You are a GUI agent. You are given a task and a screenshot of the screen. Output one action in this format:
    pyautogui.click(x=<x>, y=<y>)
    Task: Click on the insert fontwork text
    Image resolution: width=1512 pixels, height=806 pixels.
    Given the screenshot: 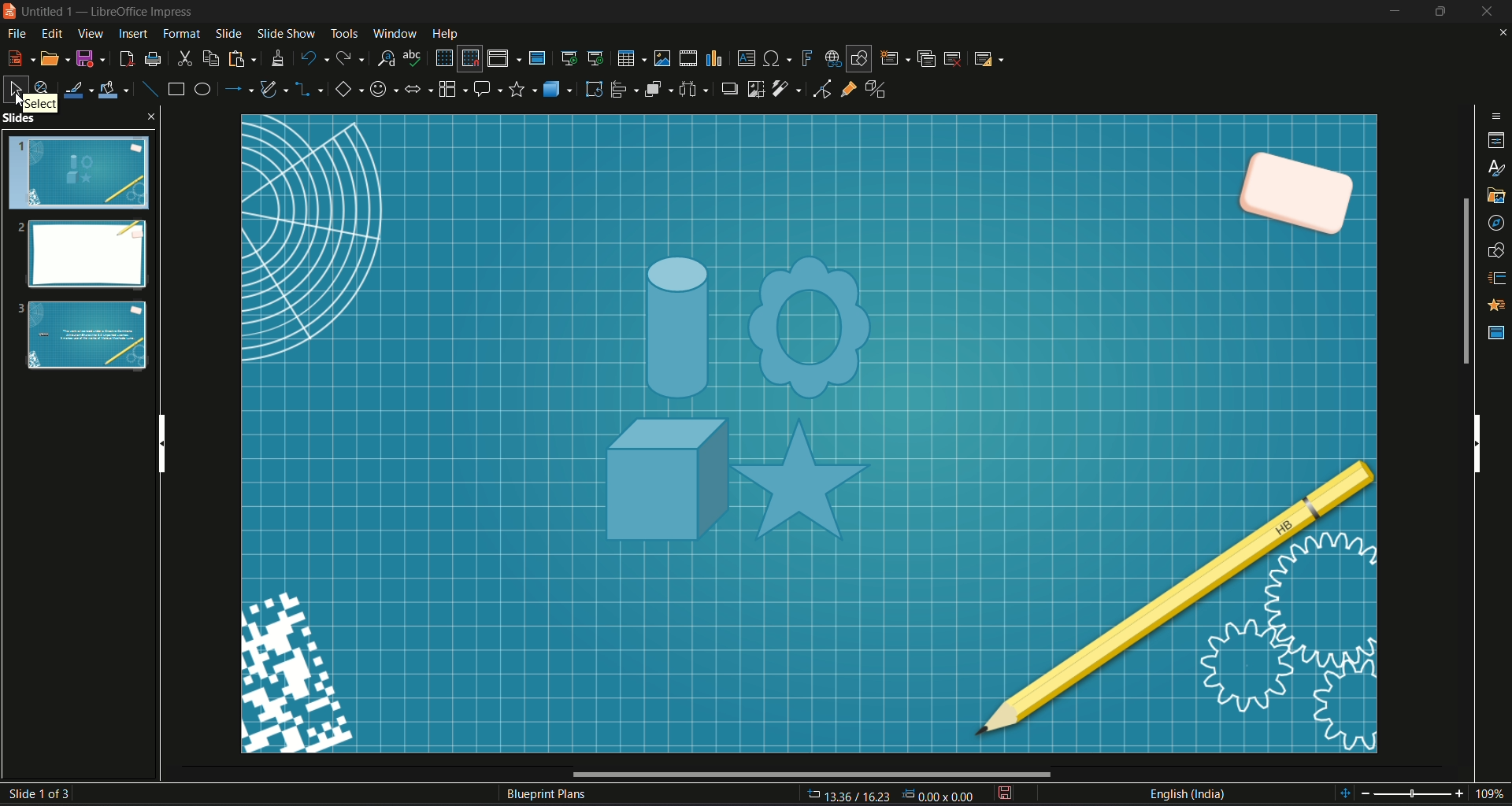 What is the action you would take?
    pyautogui.click(x=806, y=57)
    